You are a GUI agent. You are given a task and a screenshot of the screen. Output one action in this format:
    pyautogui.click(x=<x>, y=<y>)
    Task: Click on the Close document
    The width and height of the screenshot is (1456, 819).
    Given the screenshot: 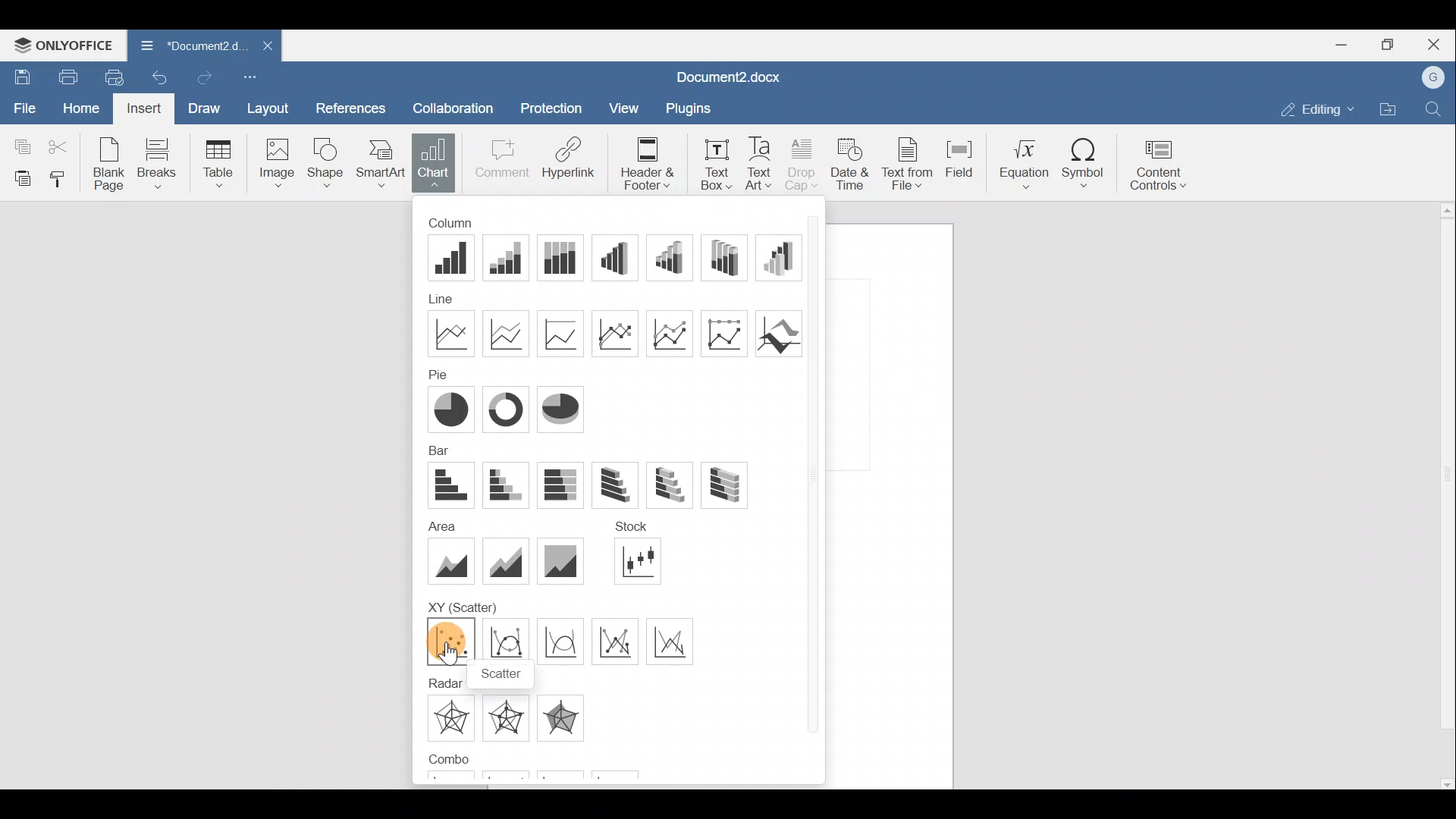 What is the action you would take?
    pyautogui.click(x=259, y=47)
    